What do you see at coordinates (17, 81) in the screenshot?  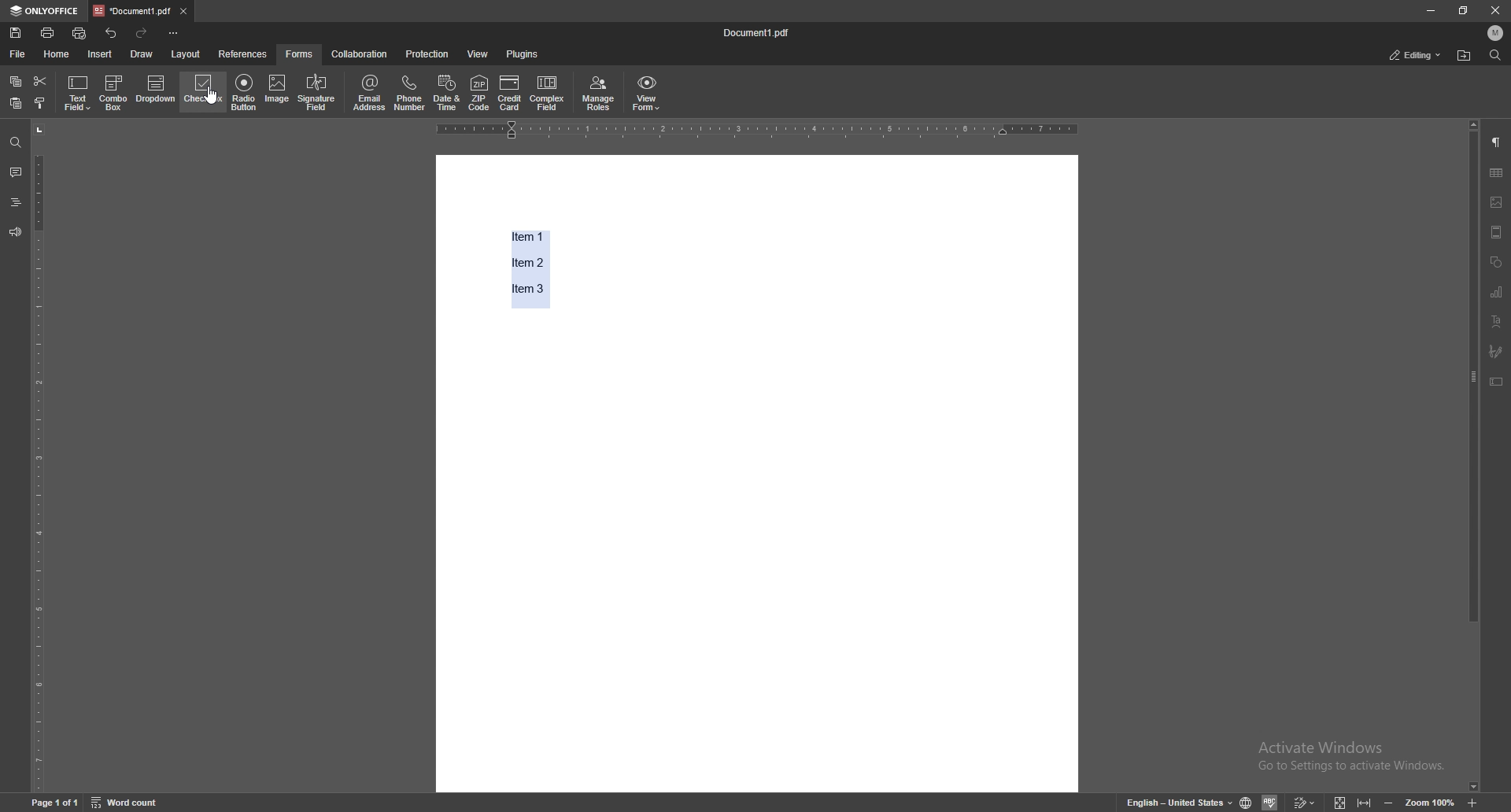 I see `copy` at bounding box center [17, 81].